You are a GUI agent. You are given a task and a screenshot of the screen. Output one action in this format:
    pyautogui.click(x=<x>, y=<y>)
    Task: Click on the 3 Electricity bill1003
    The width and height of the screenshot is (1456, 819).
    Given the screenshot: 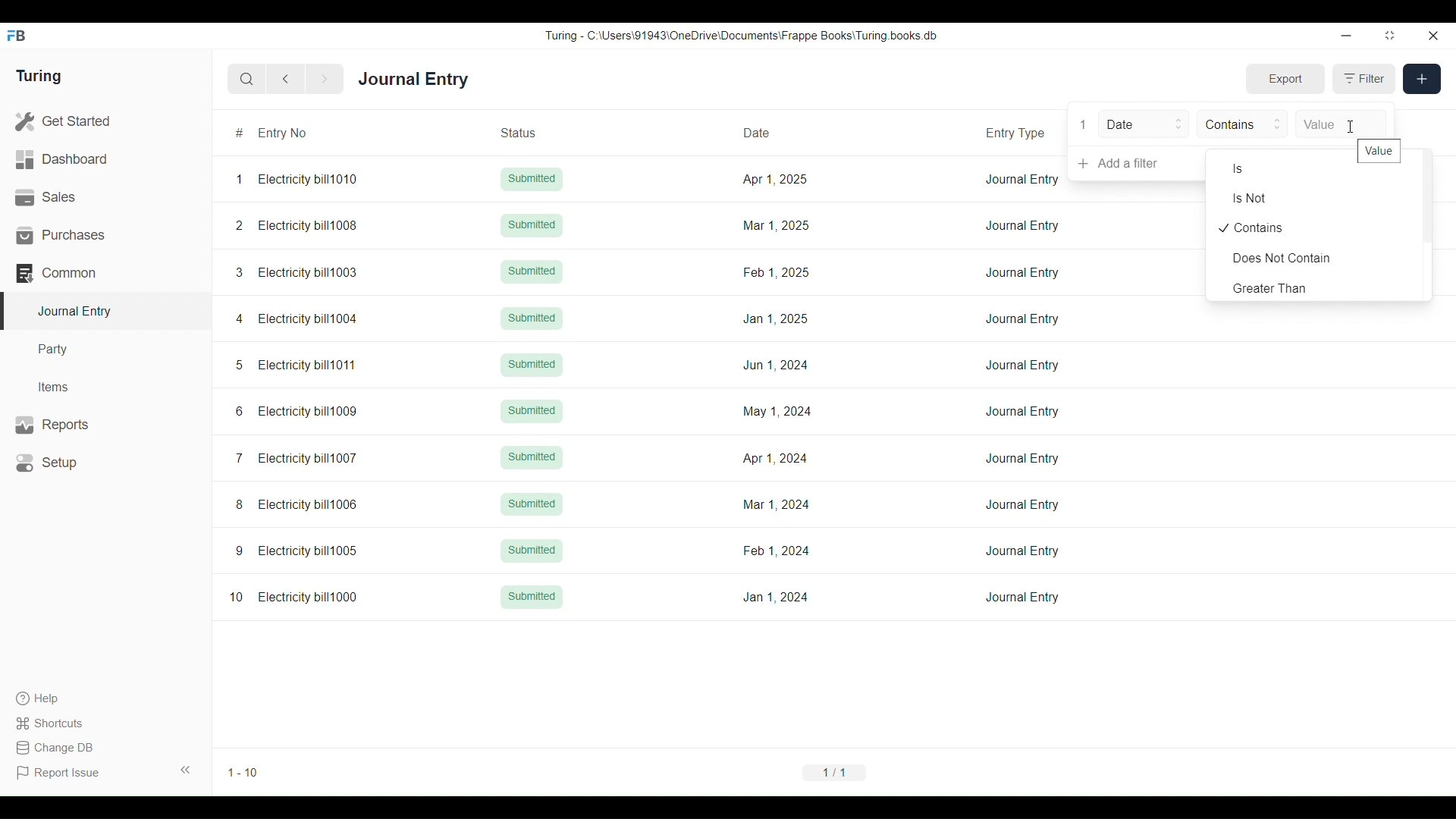 What is the action you would take?
    pyautogui.click(x=297, y=272)
    